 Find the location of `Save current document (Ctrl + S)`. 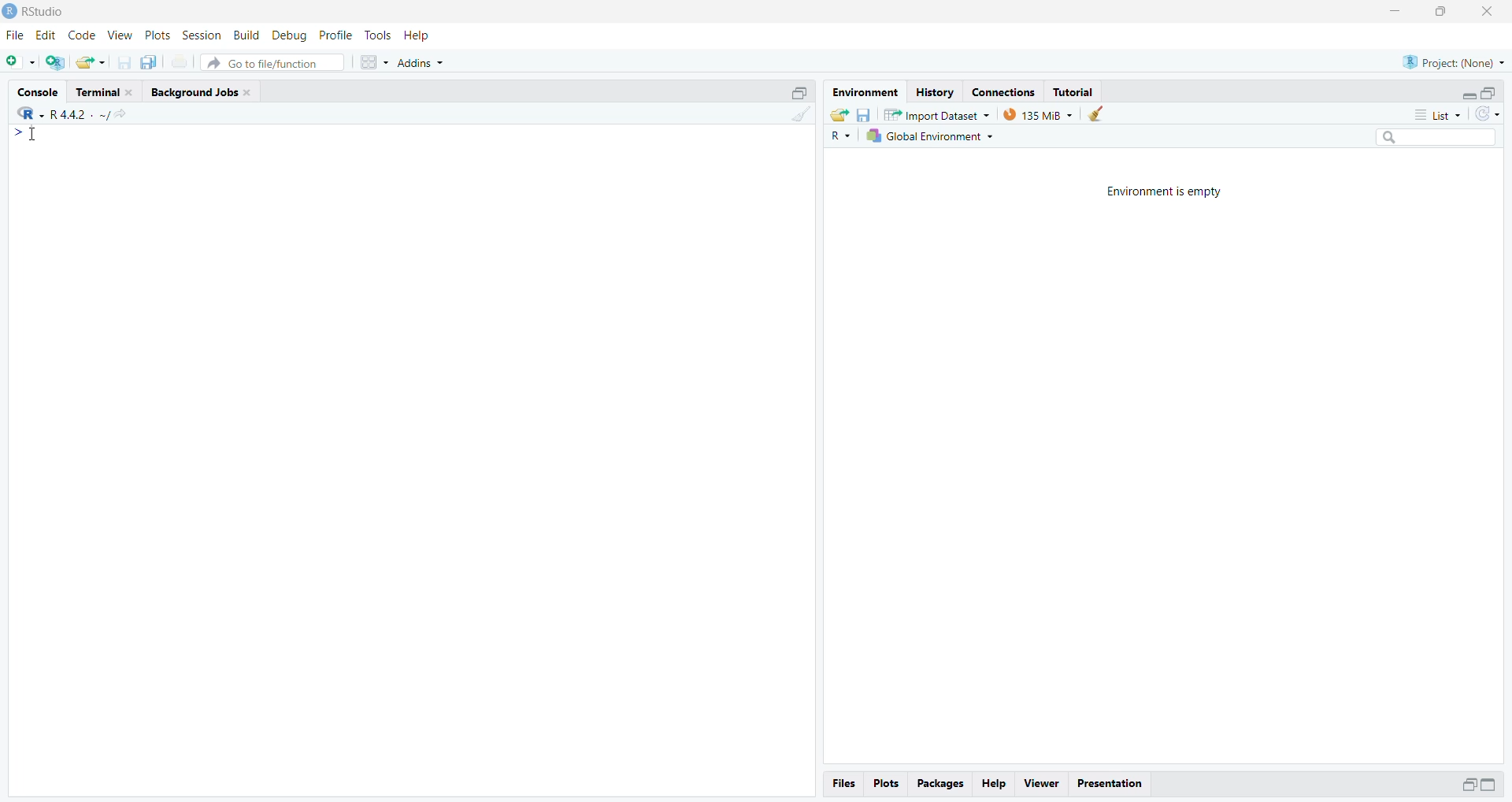

Save current document (Ctrl + S) is located at coordinates (128, 62).